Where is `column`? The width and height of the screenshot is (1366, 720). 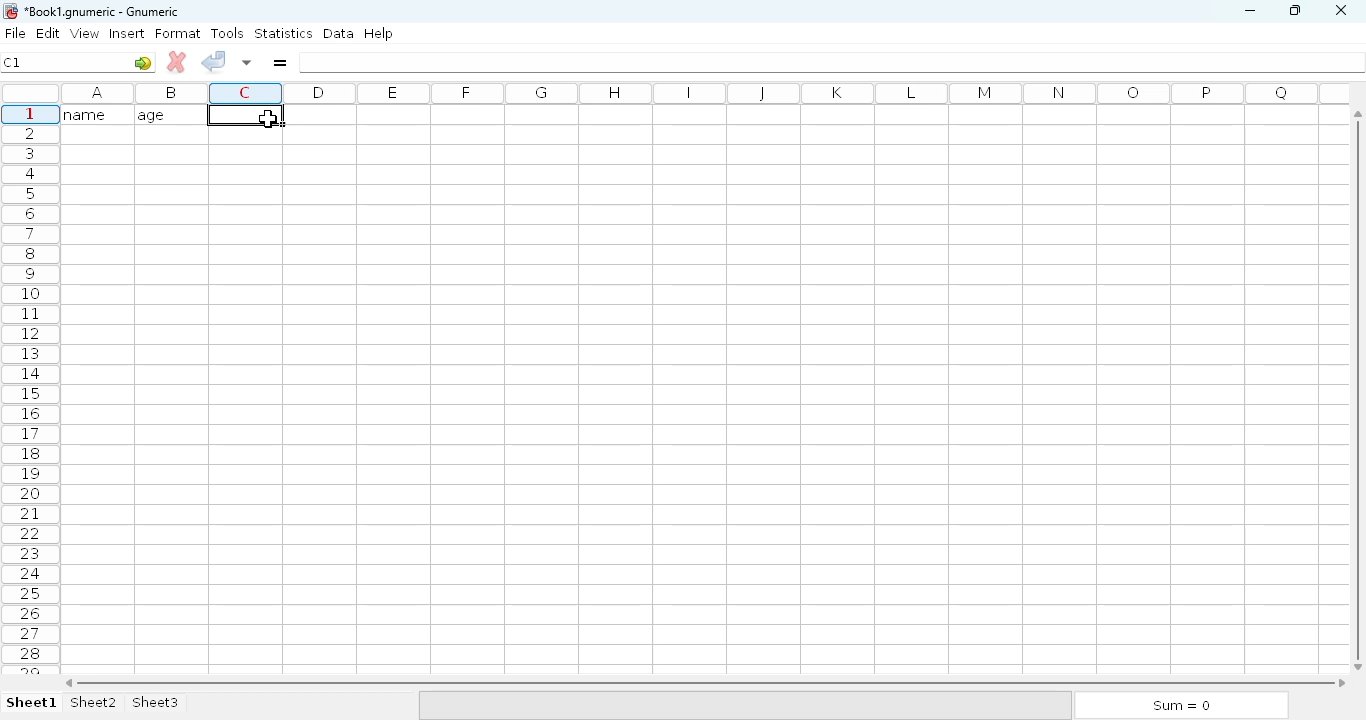 column is located at coordinates (699, 93).